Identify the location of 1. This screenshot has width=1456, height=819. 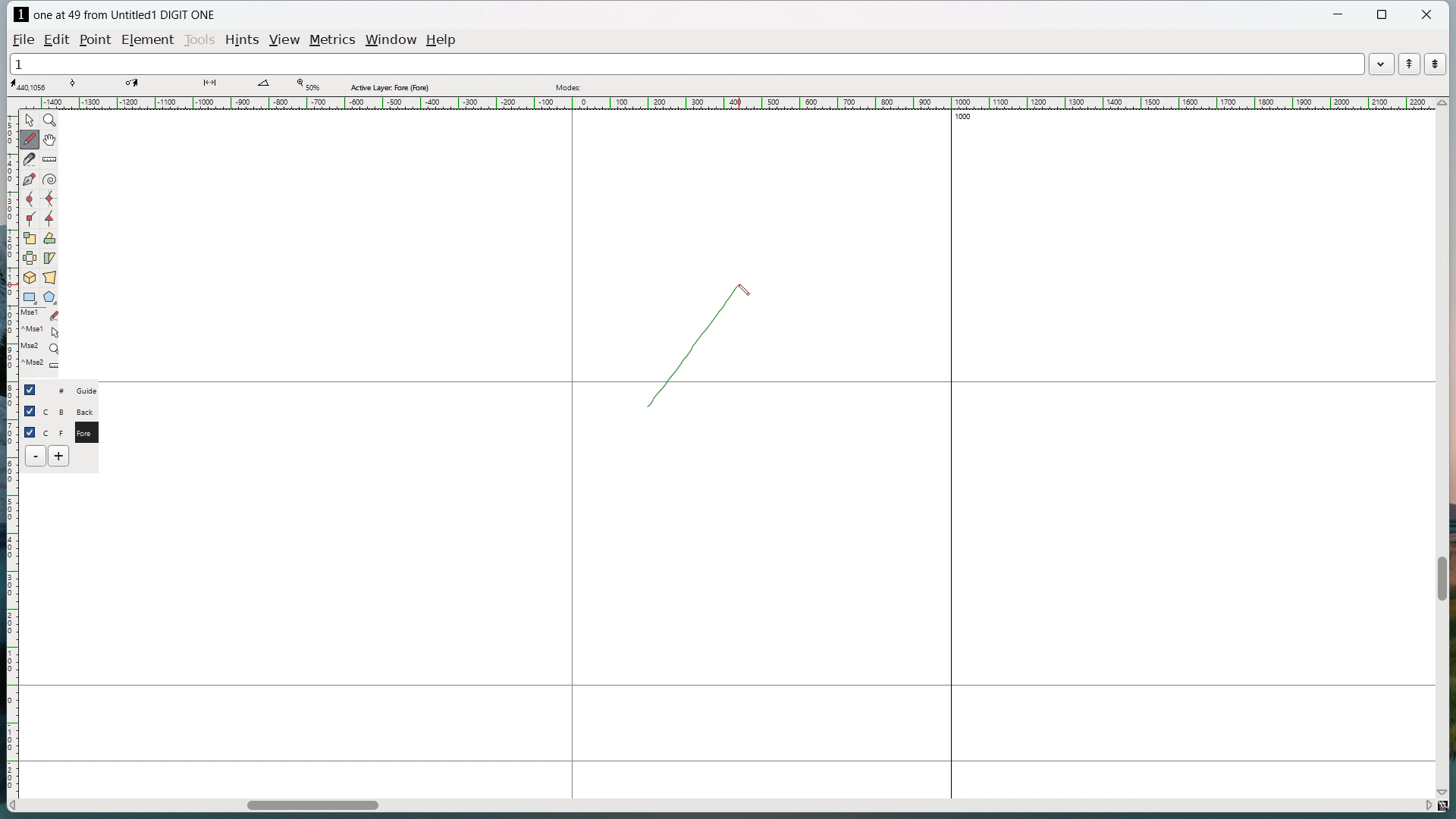
(686, 63).